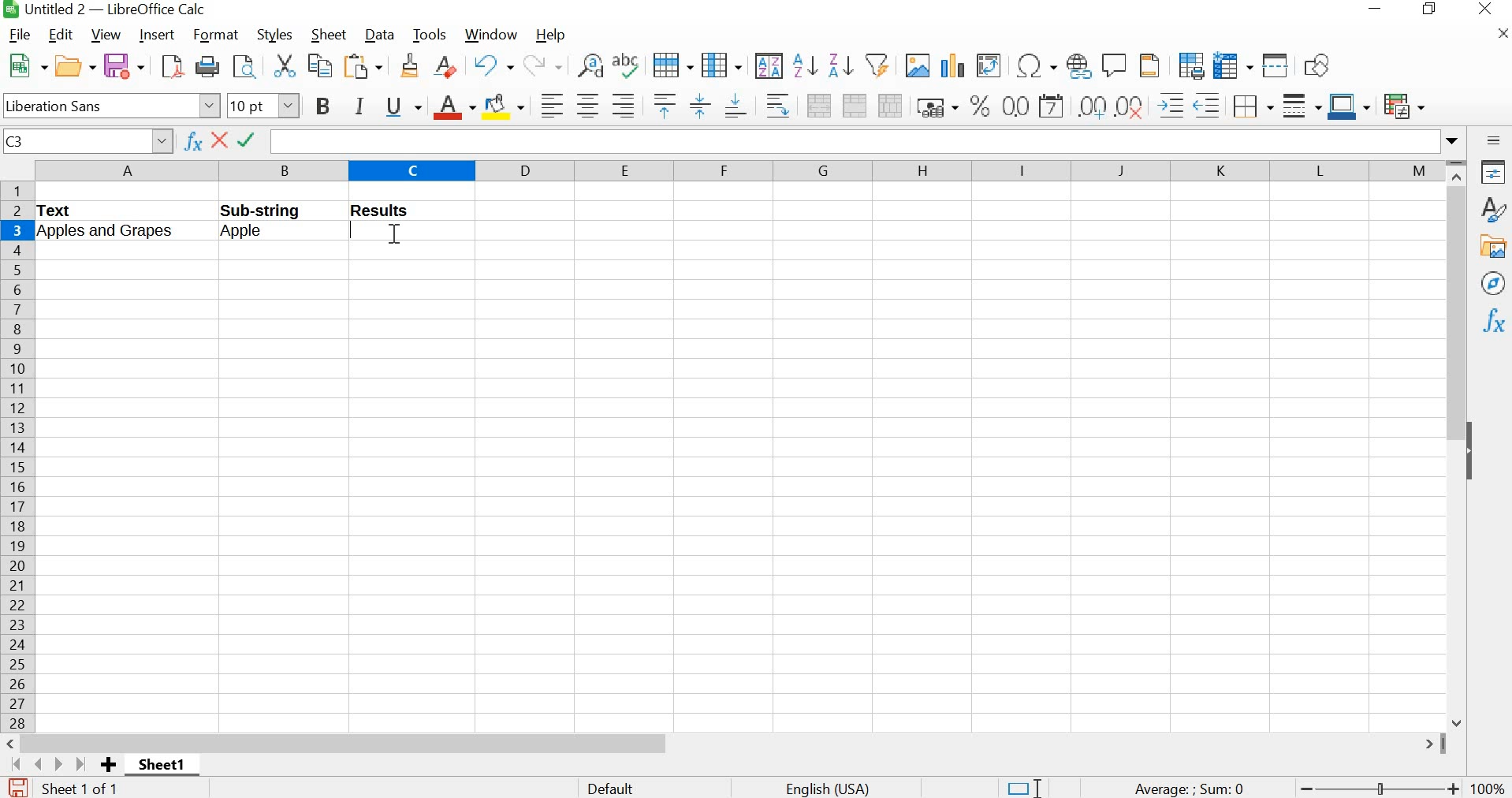 The image size is (1512, 798). Describe the element at coordinates (855, 104) in the screenshot. I see `merge cells` at that location.